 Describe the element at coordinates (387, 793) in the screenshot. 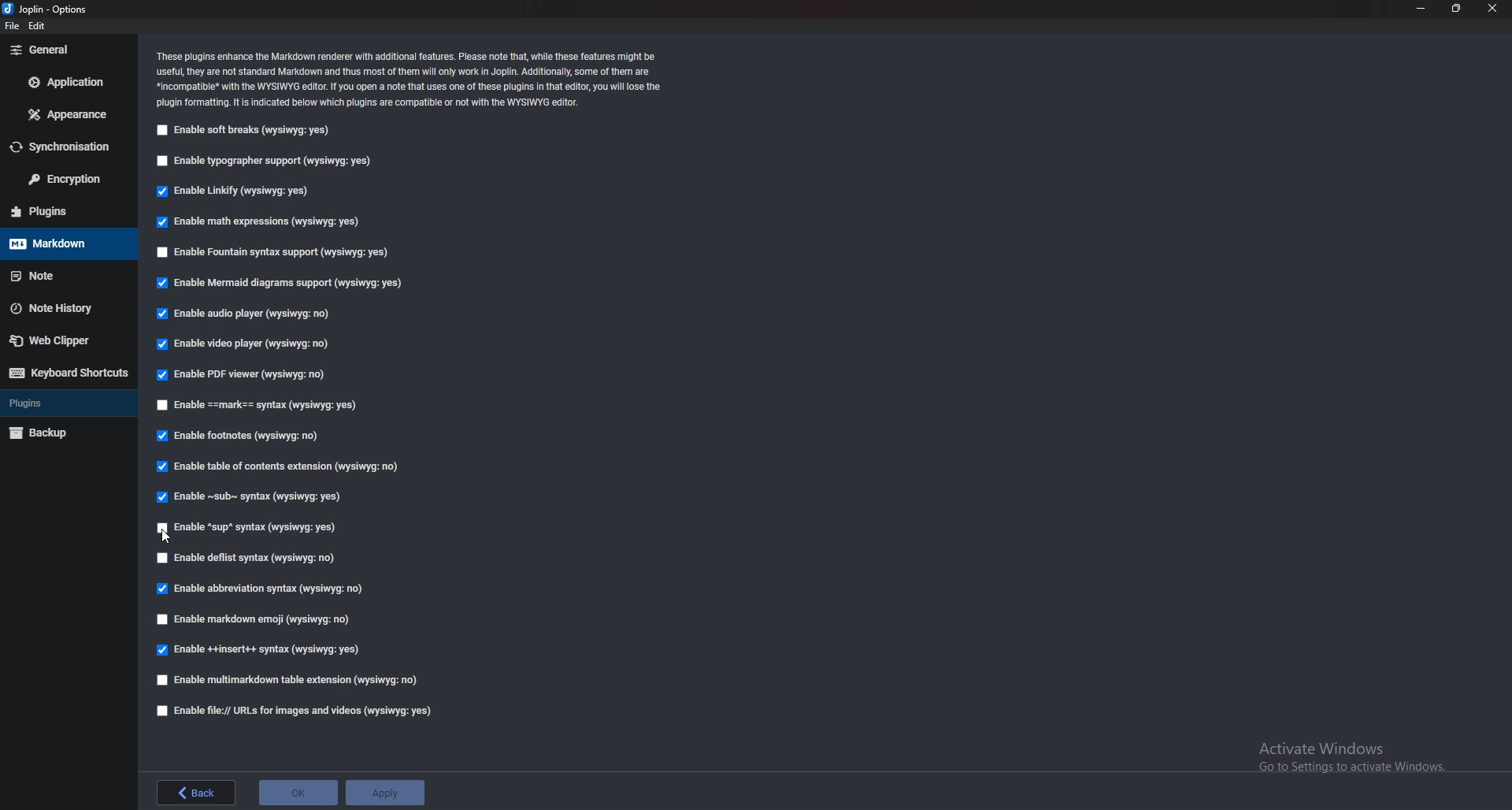

I see `apply` at that location.